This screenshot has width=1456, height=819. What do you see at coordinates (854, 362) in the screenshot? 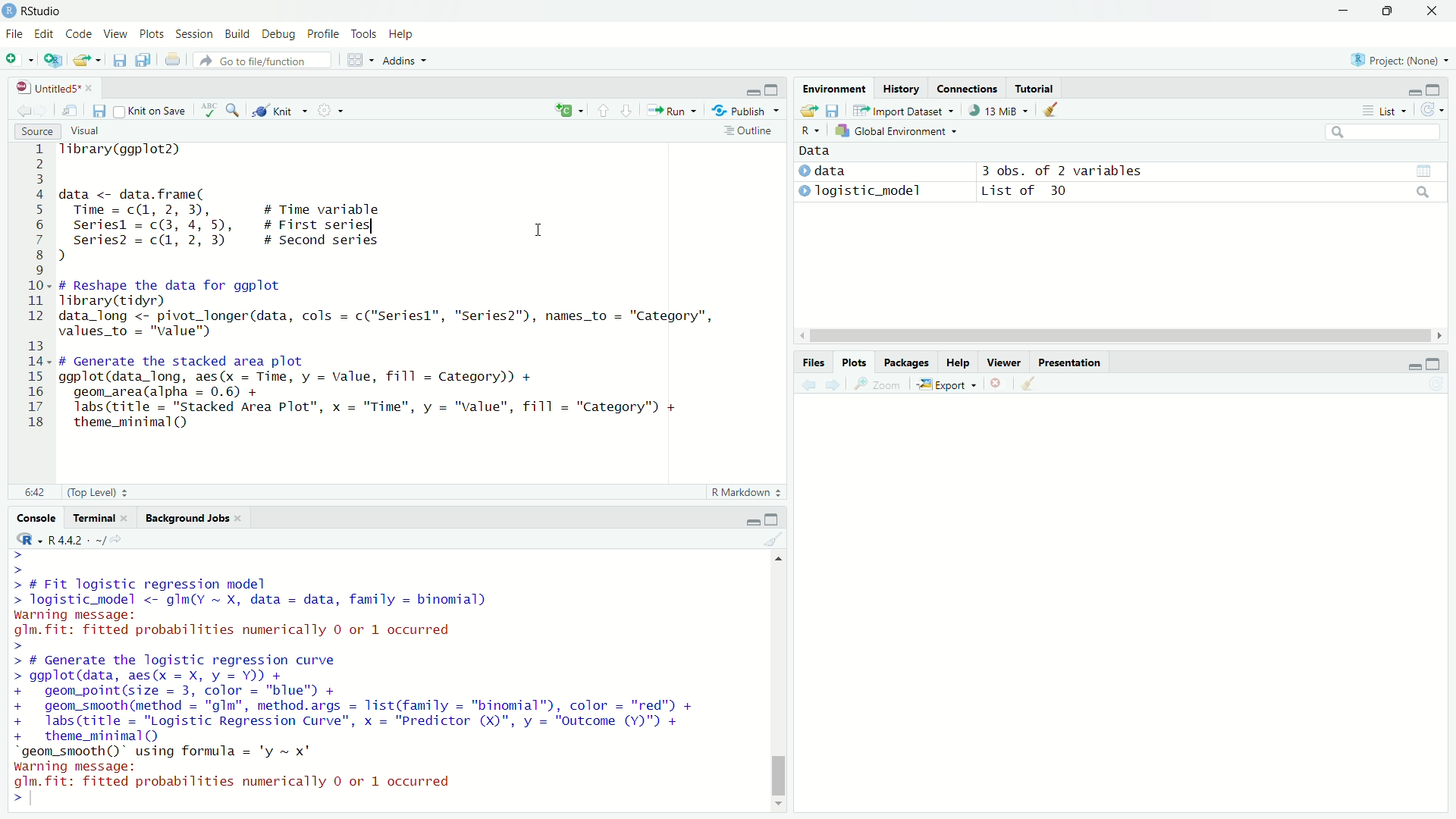
I see `Plots.` at bounding box center [854, 362].